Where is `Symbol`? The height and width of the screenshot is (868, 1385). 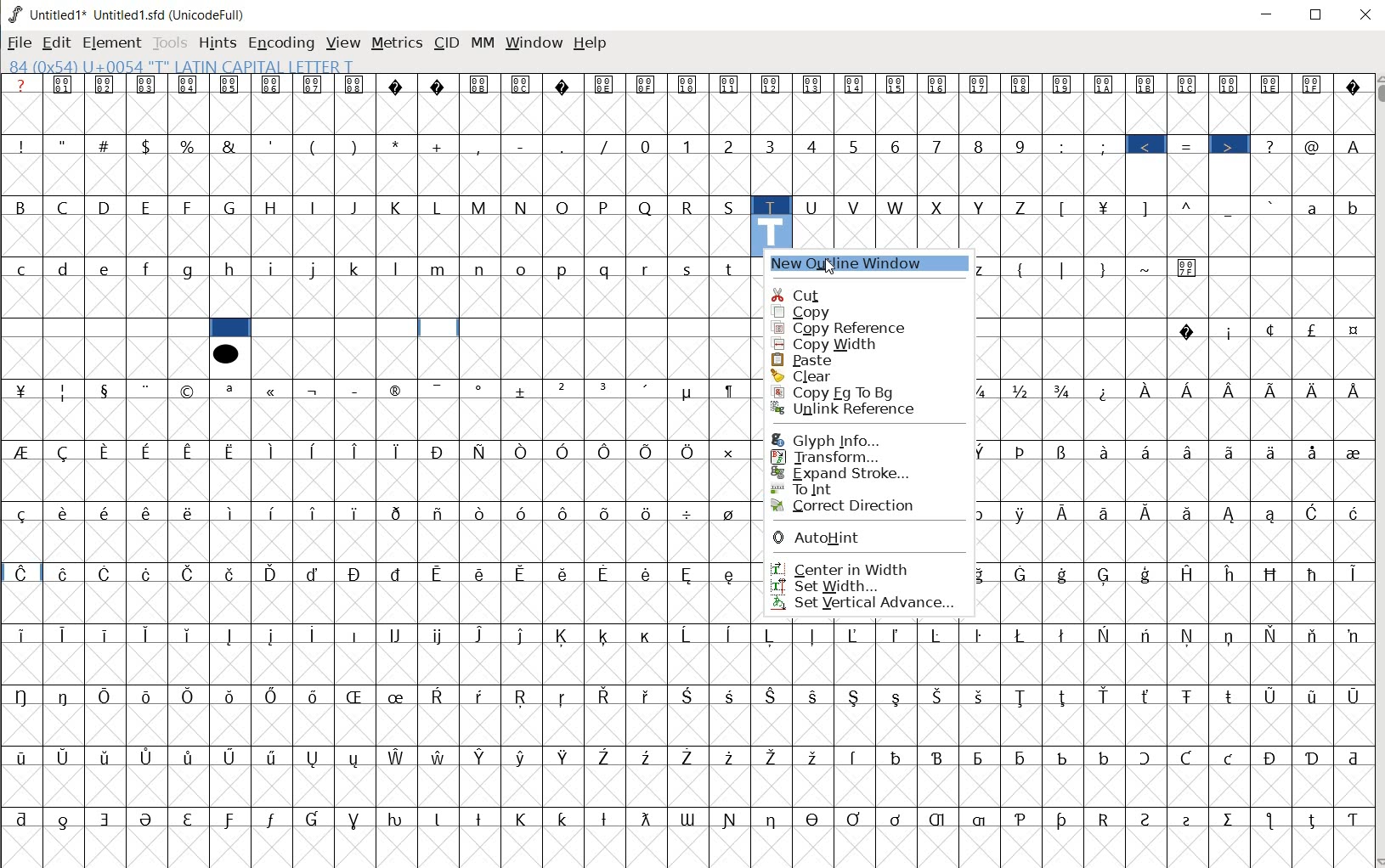
Symbol is located at coordinates (1189, 695).